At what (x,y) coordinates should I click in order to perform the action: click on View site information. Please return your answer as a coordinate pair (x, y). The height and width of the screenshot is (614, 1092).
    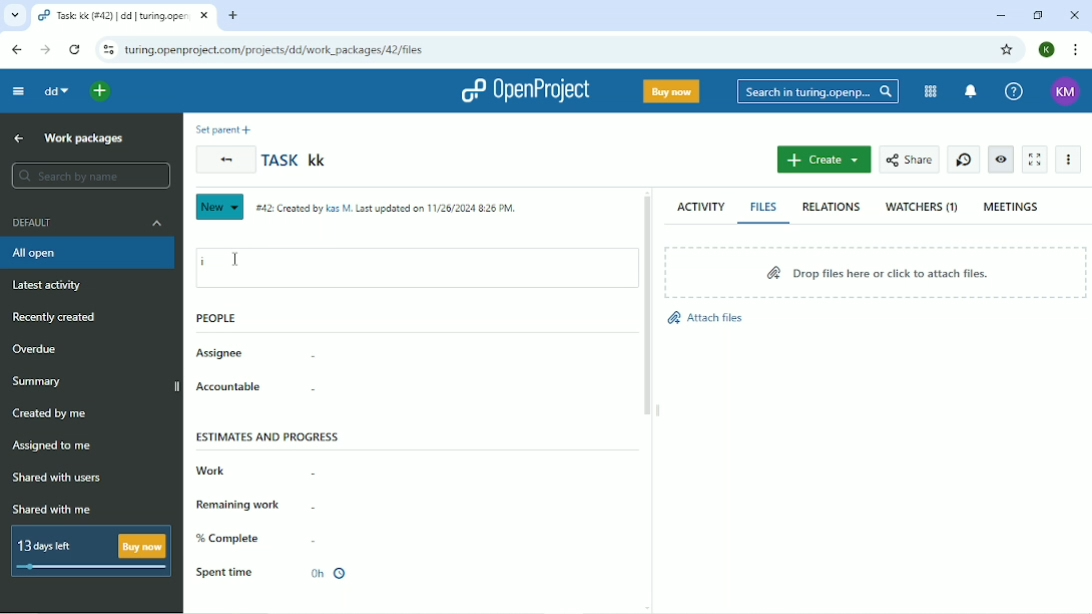
    Looking at the image, I should click on (106, 50).